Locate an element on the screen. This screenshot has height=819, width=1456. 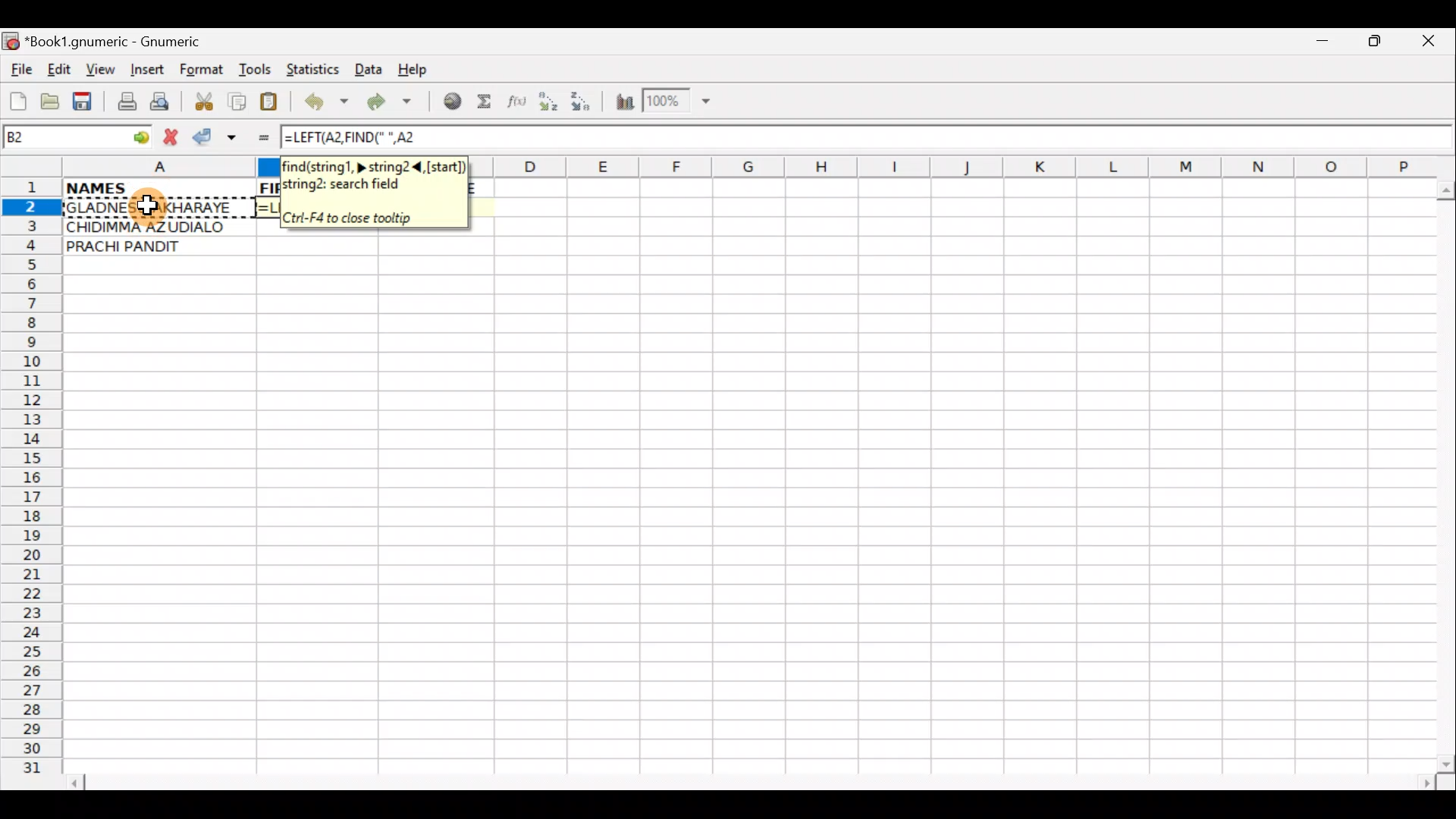
GLADNESS AKHARAYE is located at coordinates (156, 207).